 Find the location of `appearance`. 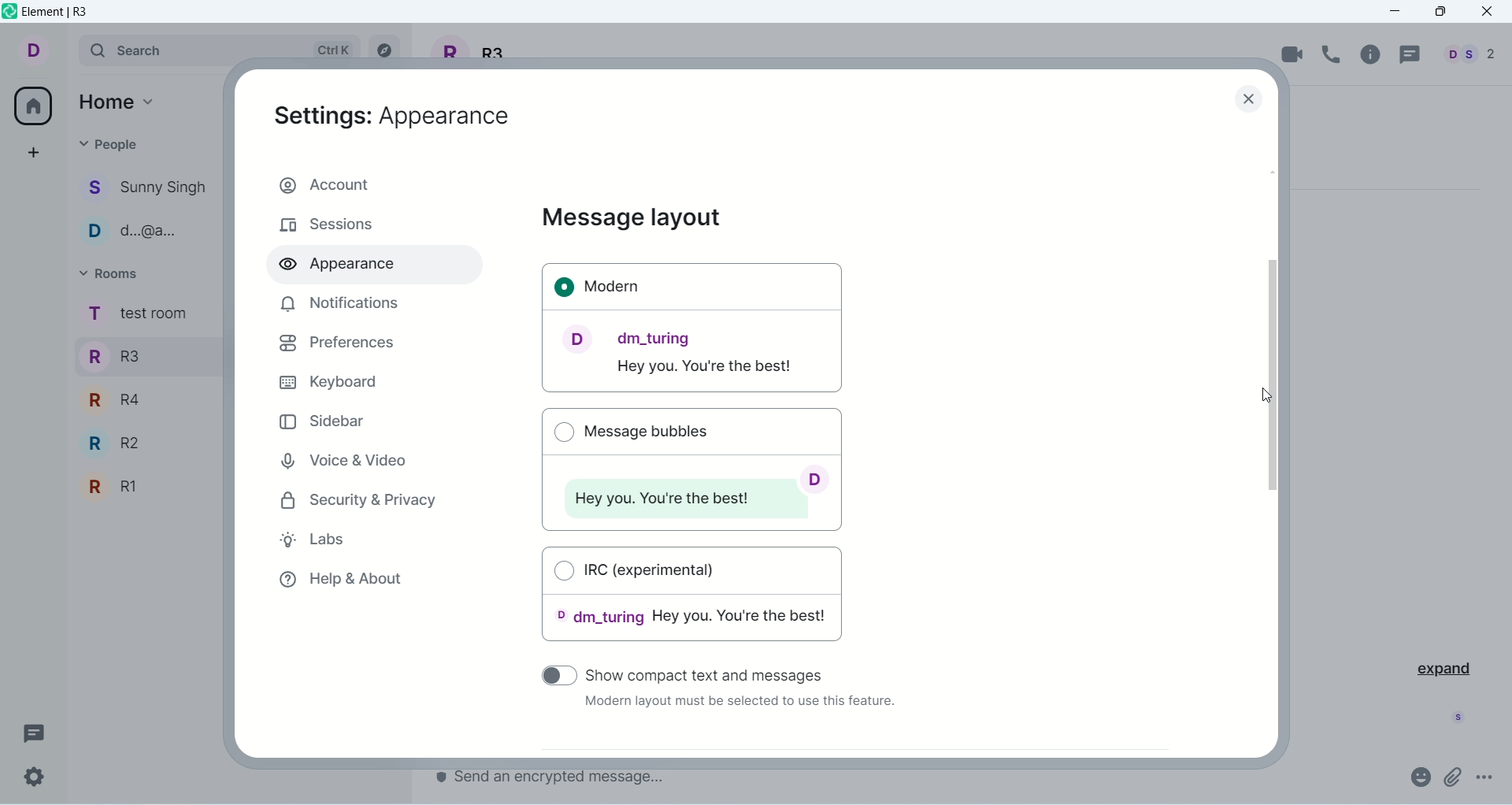

appearance is located at coordinates (393, 116).